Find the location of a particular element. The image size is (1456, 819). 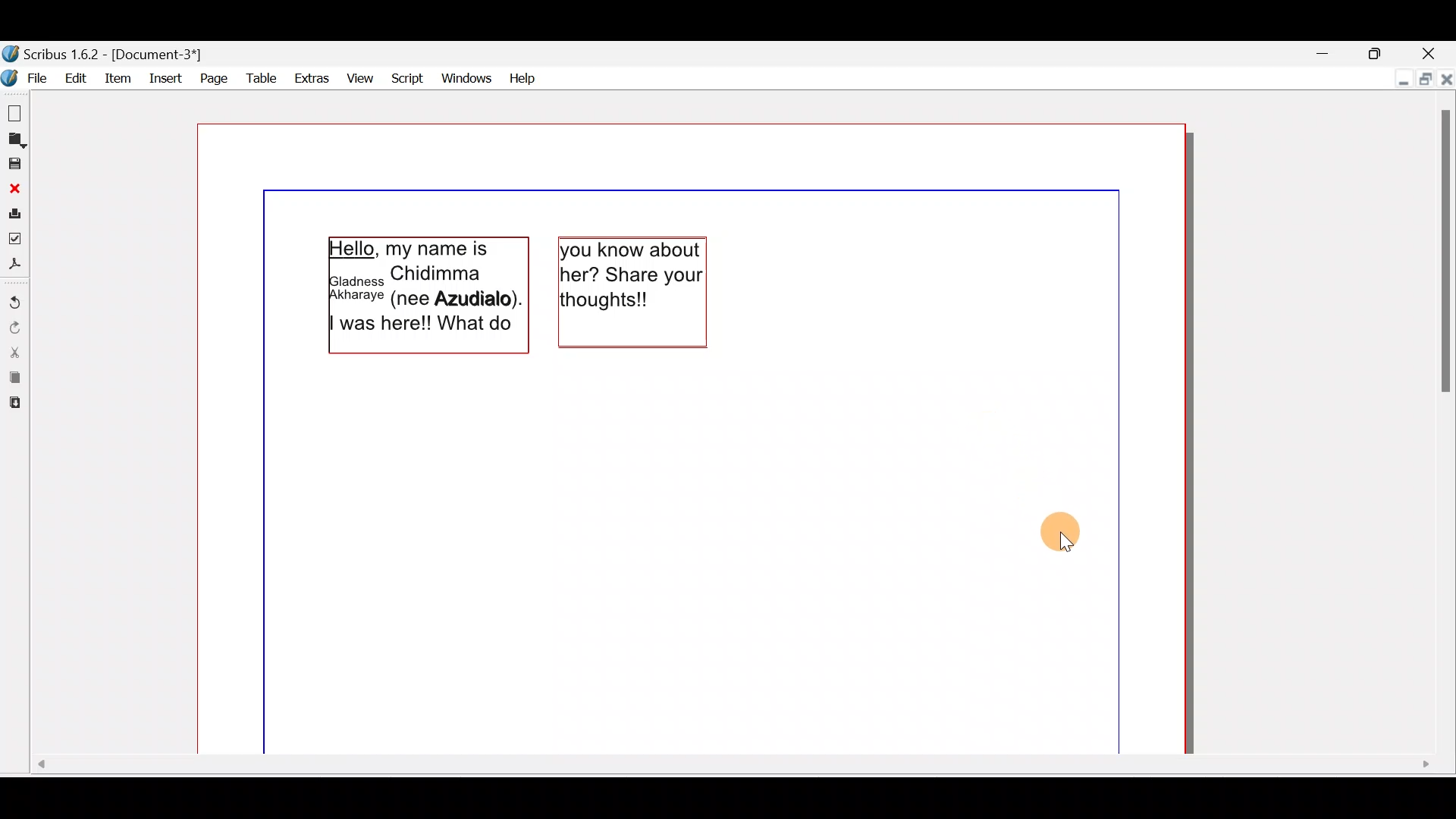

Save is located at coordinates (14, 163).